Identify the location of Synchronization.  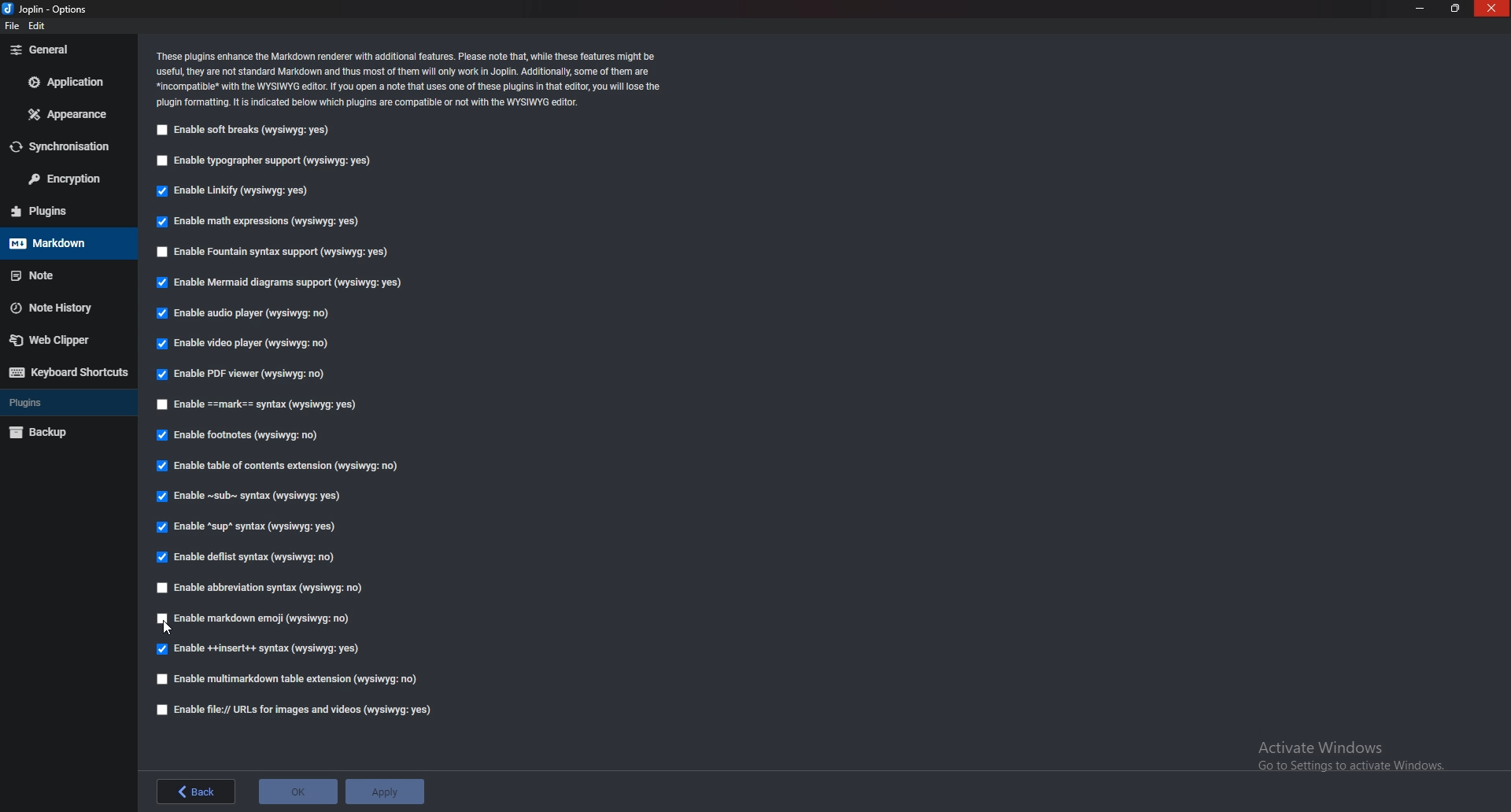
(65, 148).